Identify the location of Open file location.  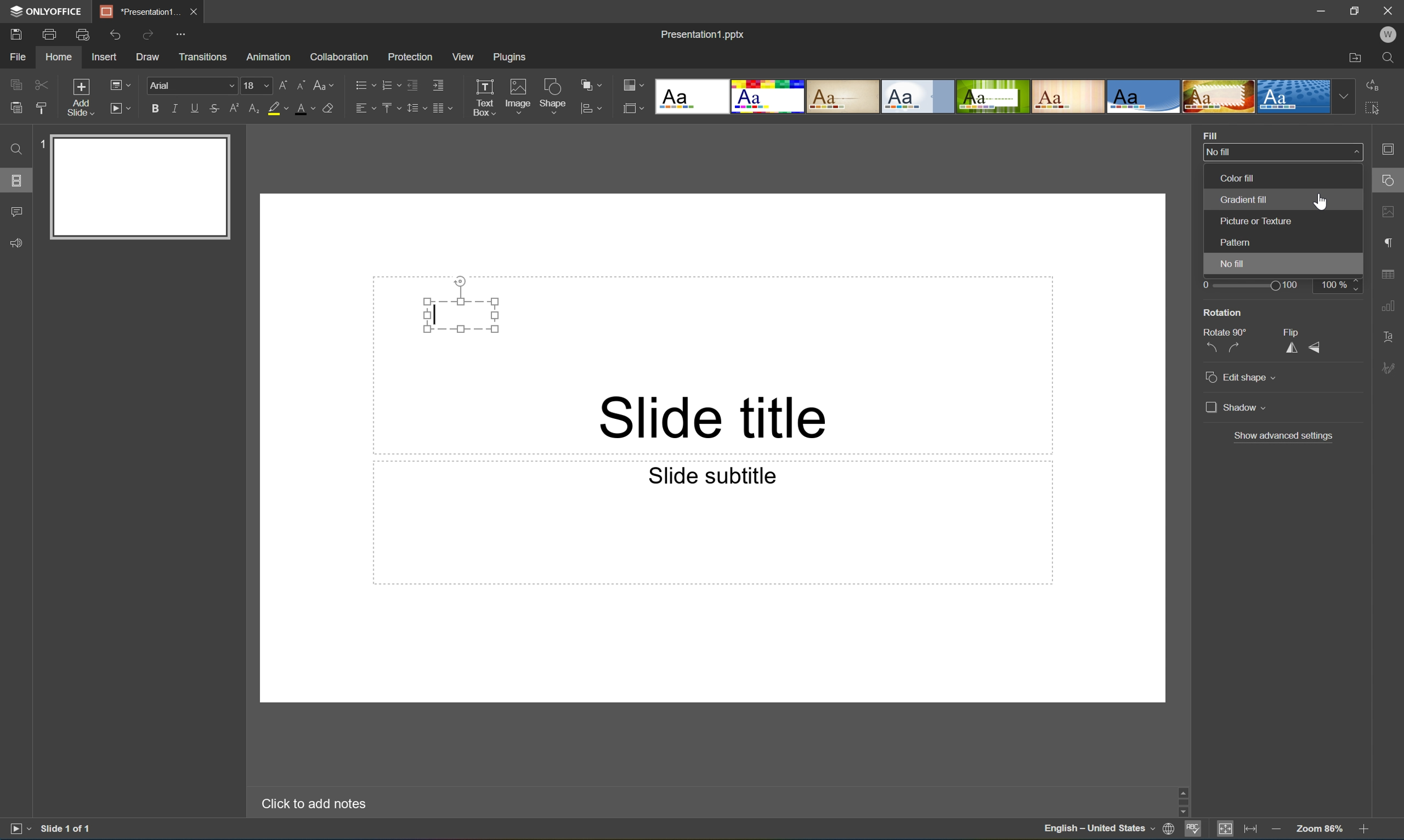
(1355, 59).